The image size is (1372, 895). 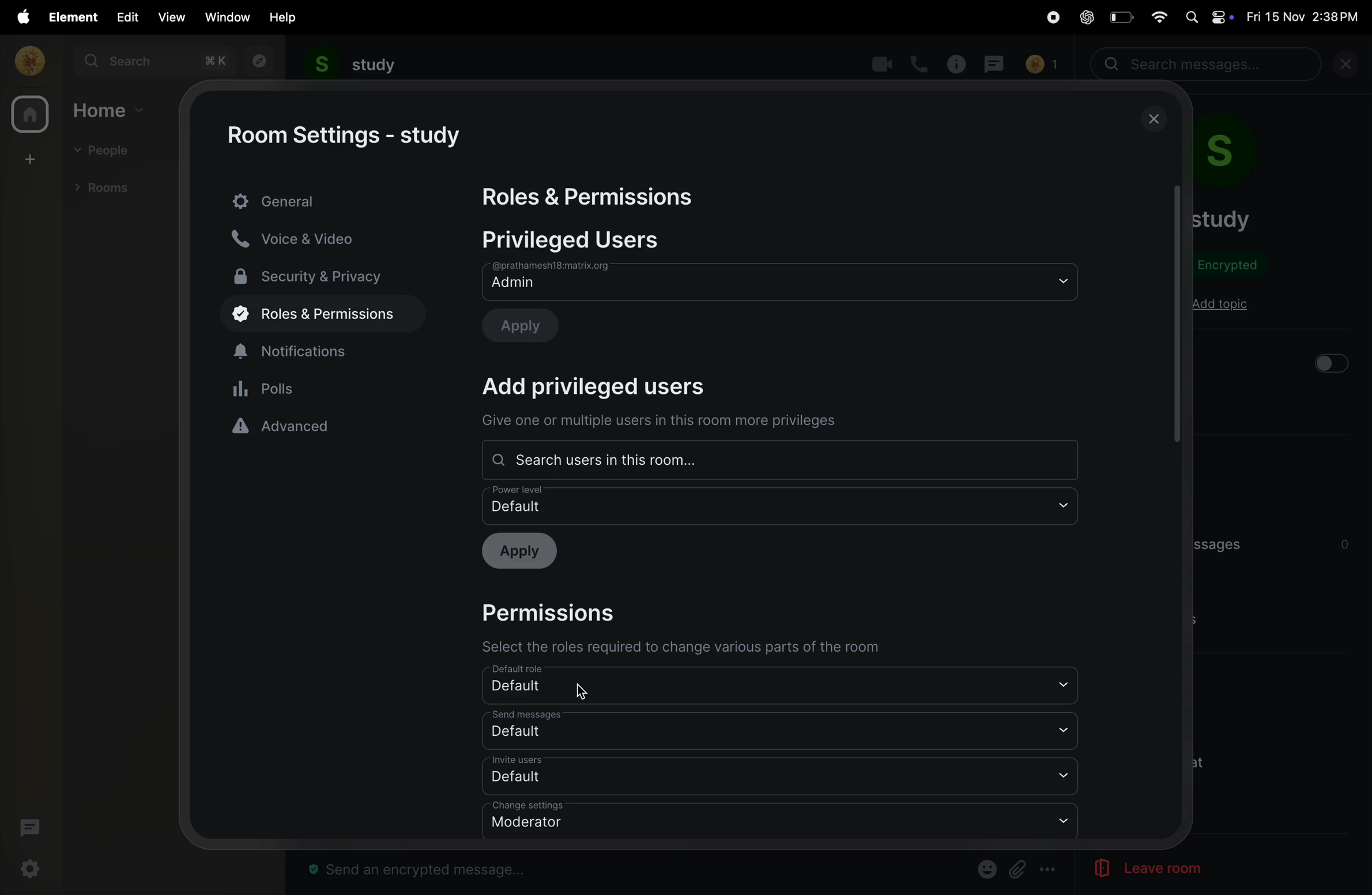 I want to click on profile, so click(x=26, y=60).